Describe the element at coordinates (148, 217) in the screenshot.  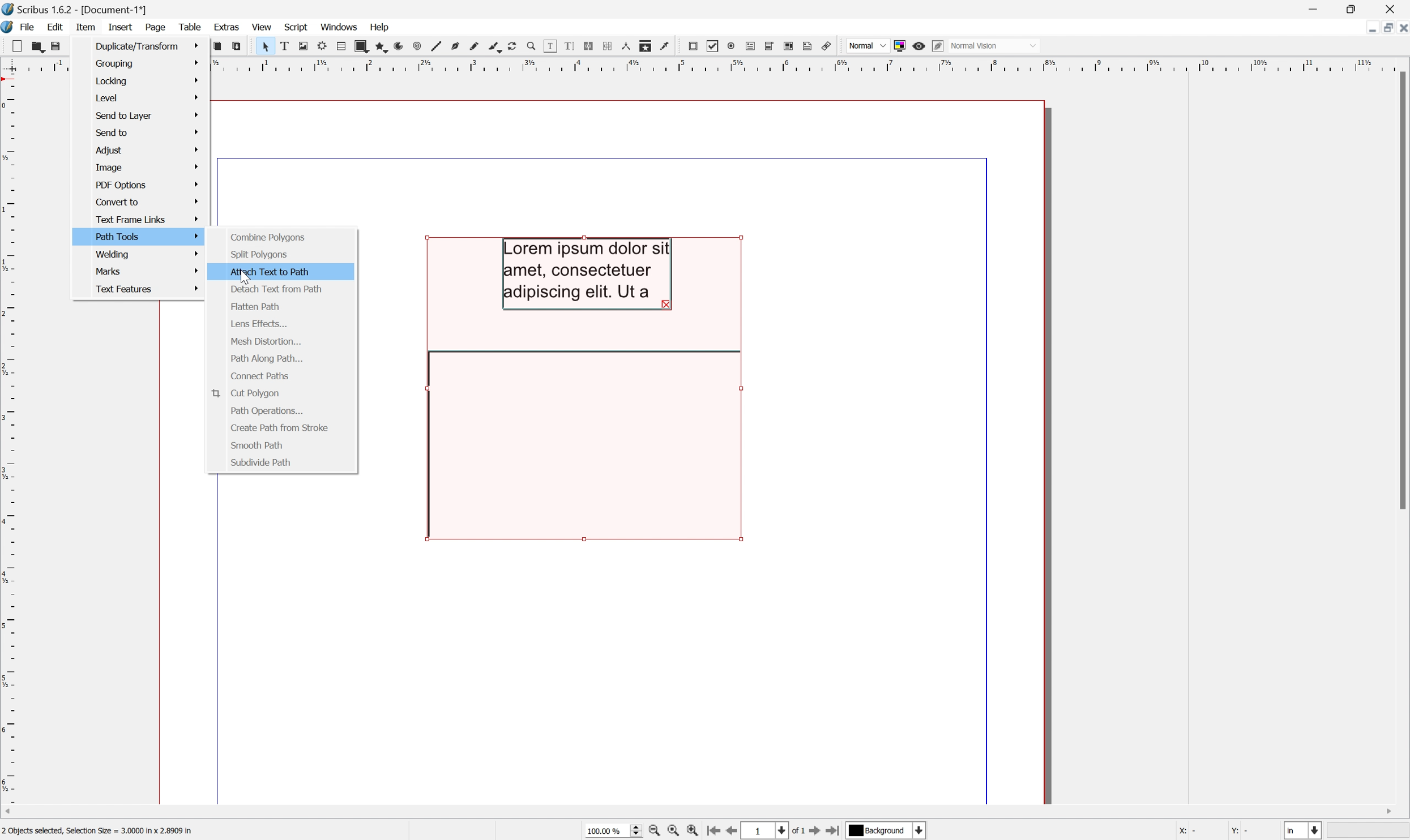
I see `Text frame links` at that location.